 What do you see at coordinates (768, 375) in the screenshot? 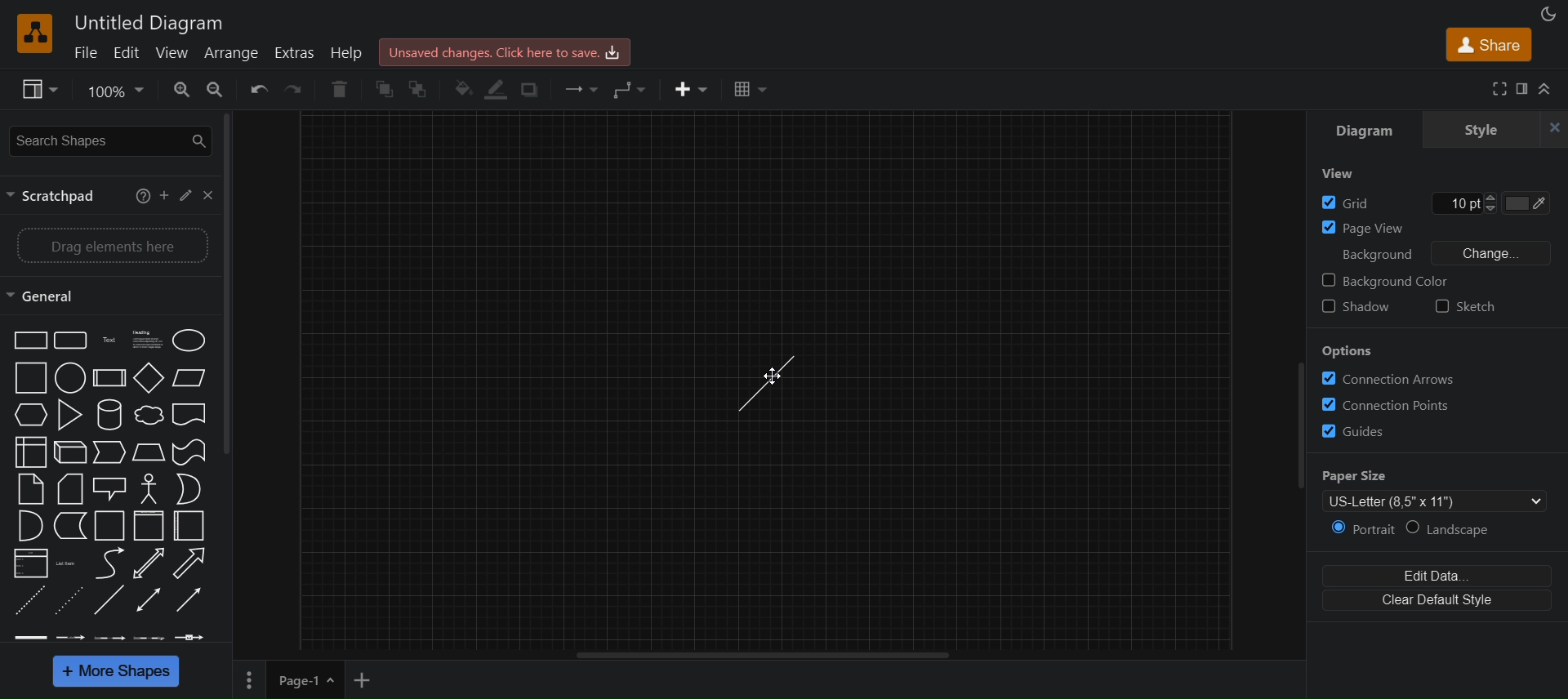
I see `Cursor` at bounding box center [768, 375].